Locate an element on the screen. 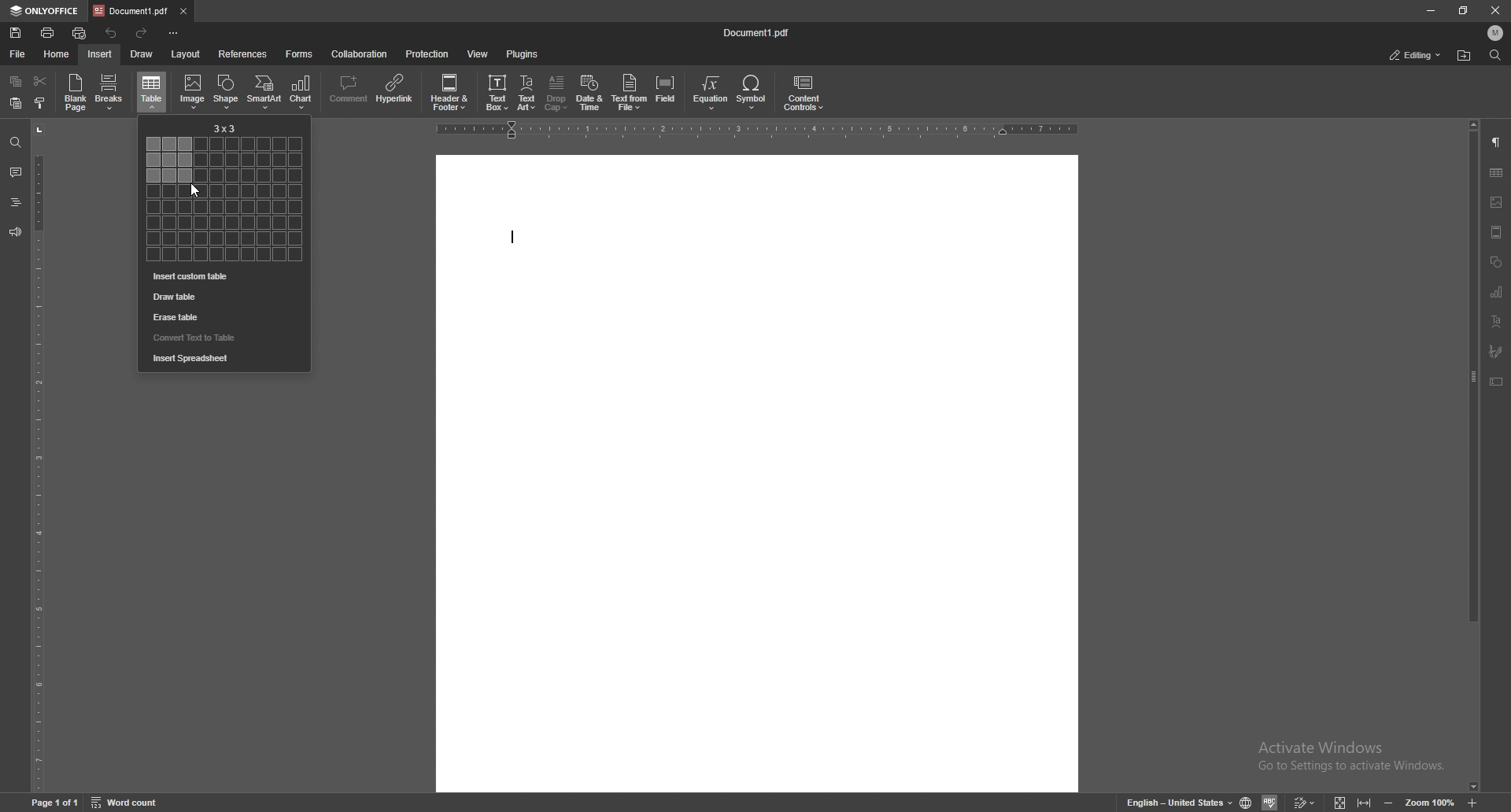 This screenshot has width=1511, height=812. shapes is located at coordinates (1495, 263).